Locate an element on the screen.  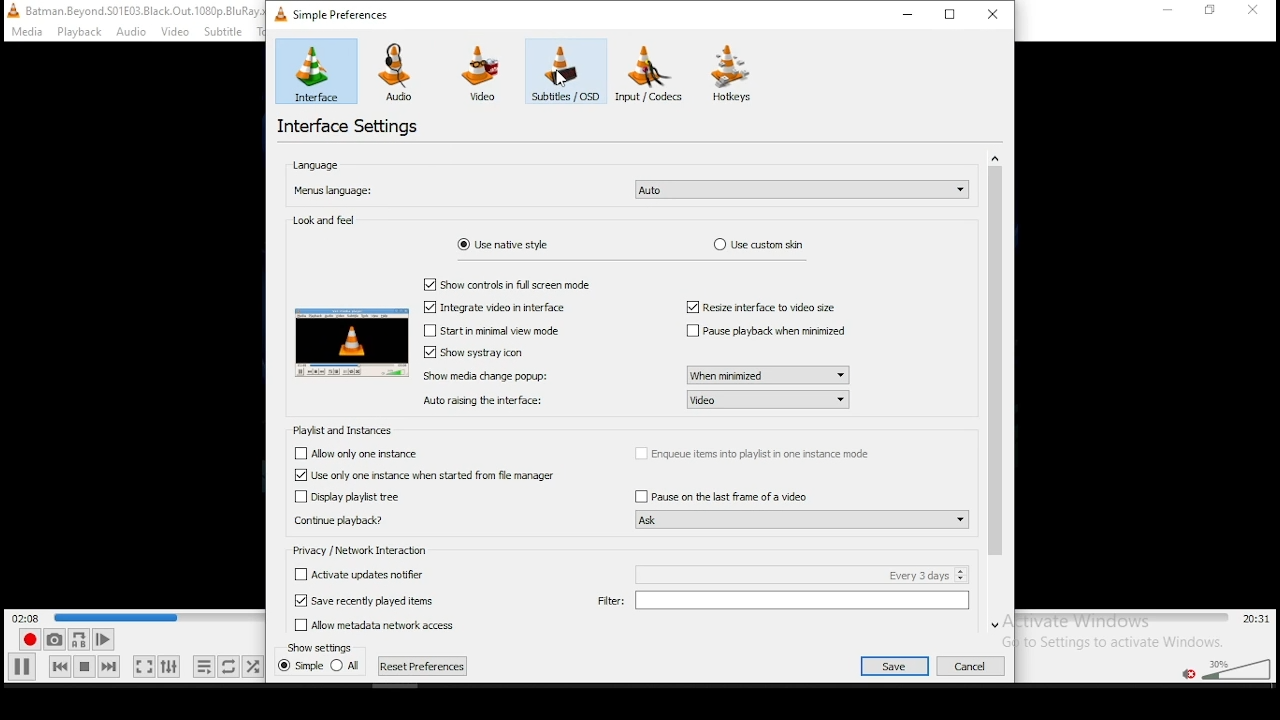
 is located at coordinates (478, 352).